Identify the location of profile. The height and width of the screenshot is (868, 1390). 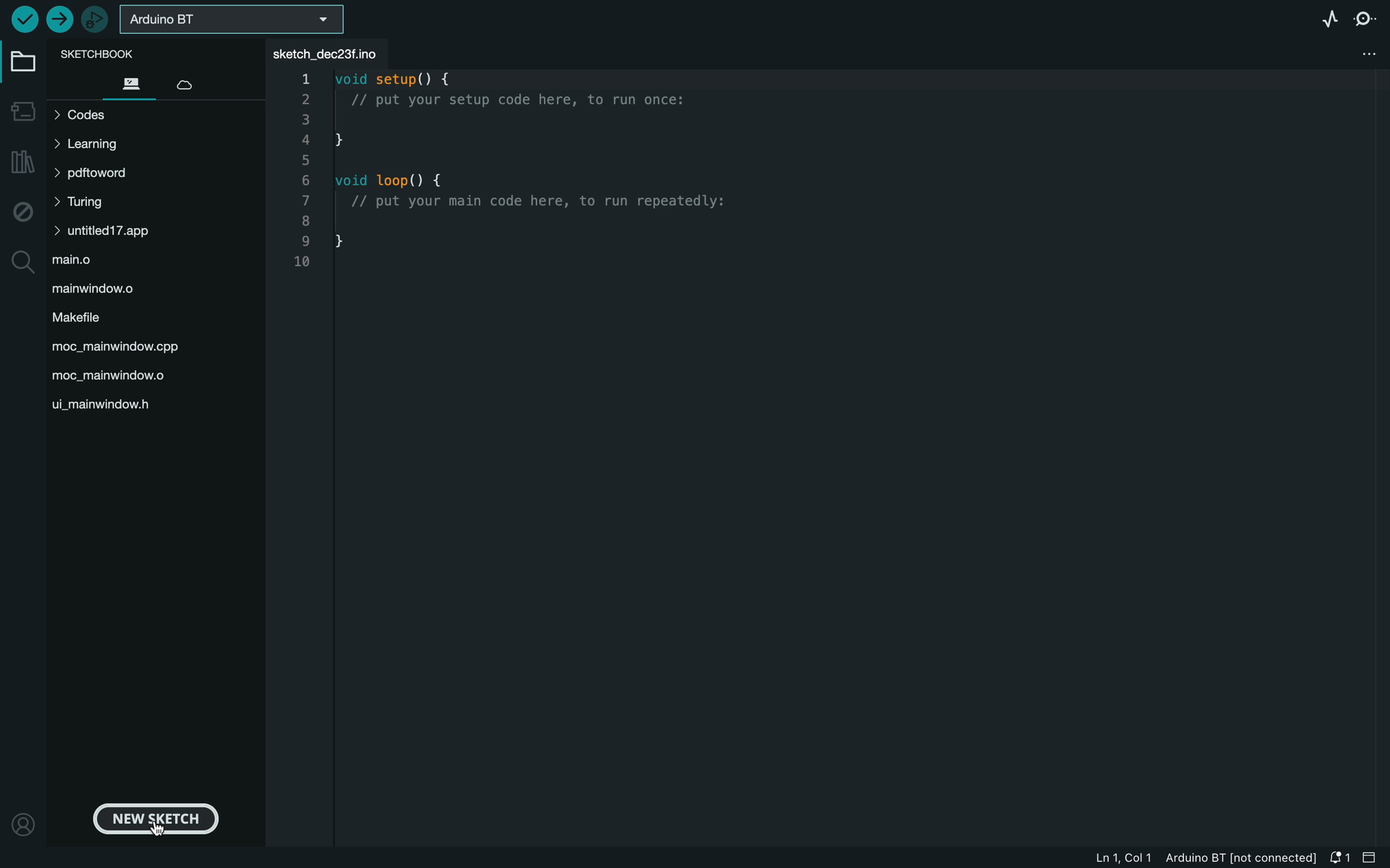
(22, 823).